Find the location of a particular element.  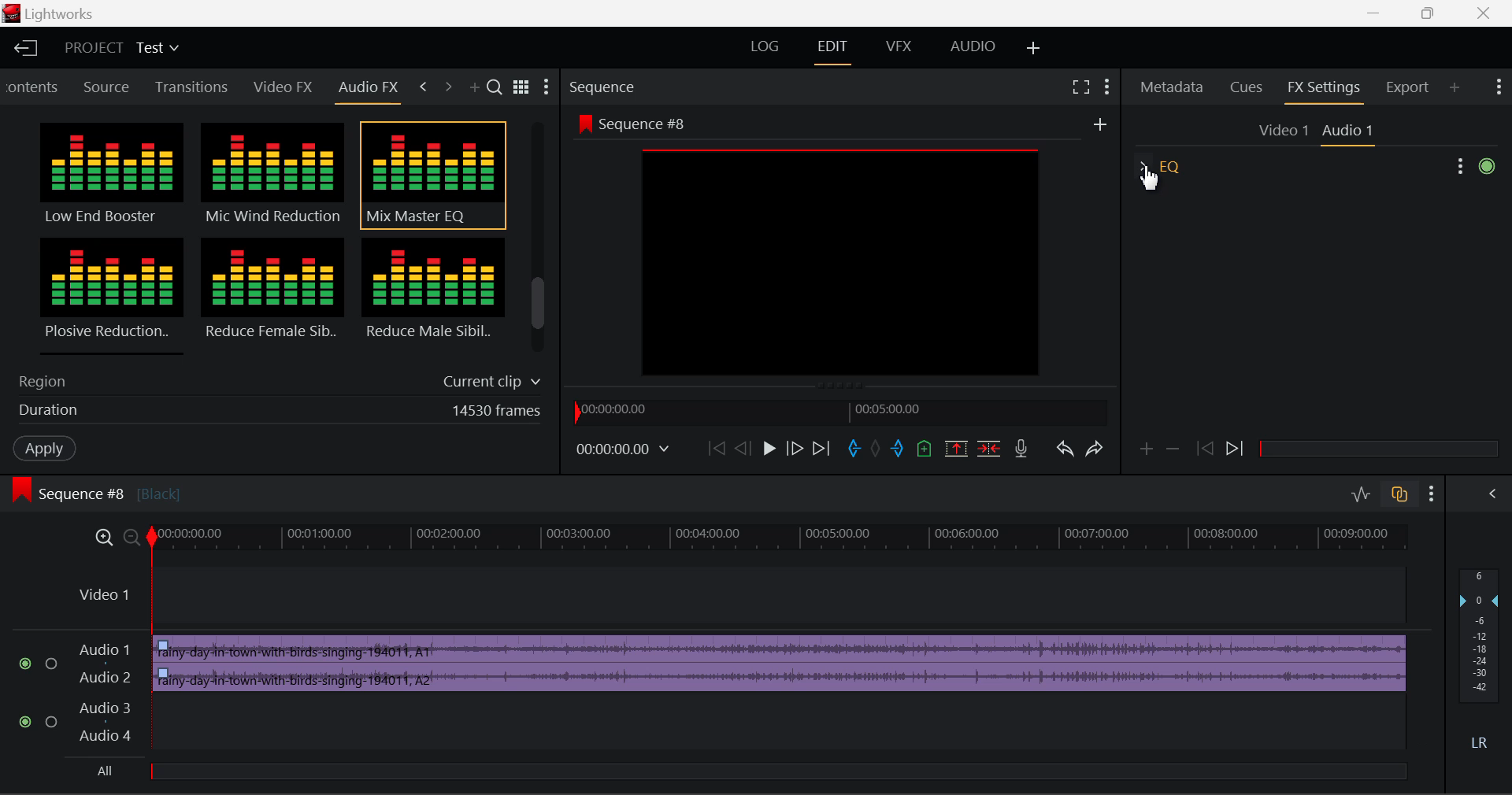

Remove Marked Section is located at coordinates (954, 448).